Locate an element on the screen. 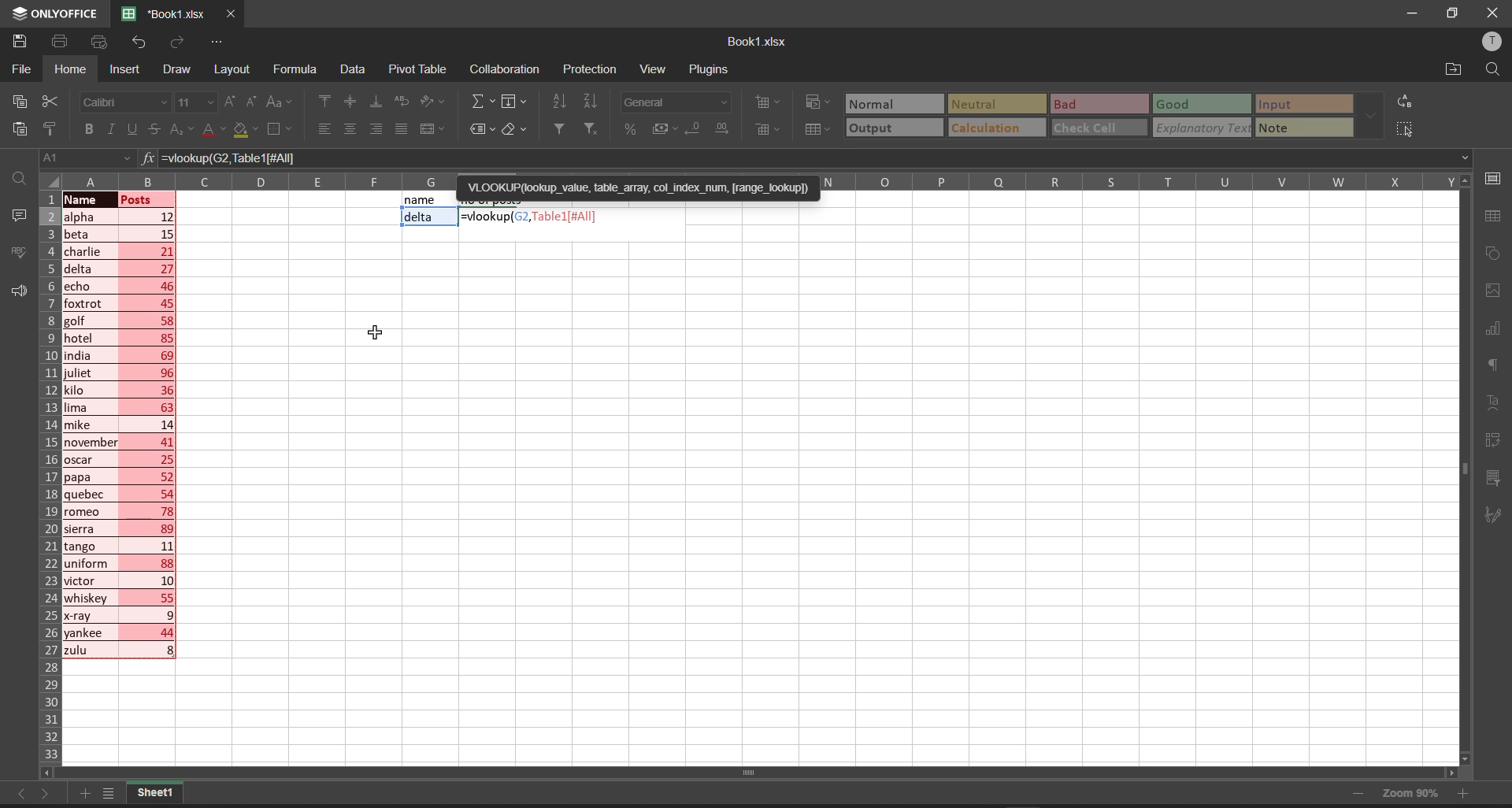 The height and width of the screenshot is (808, 1512). sort ascending is located at coordinates (561, 102).